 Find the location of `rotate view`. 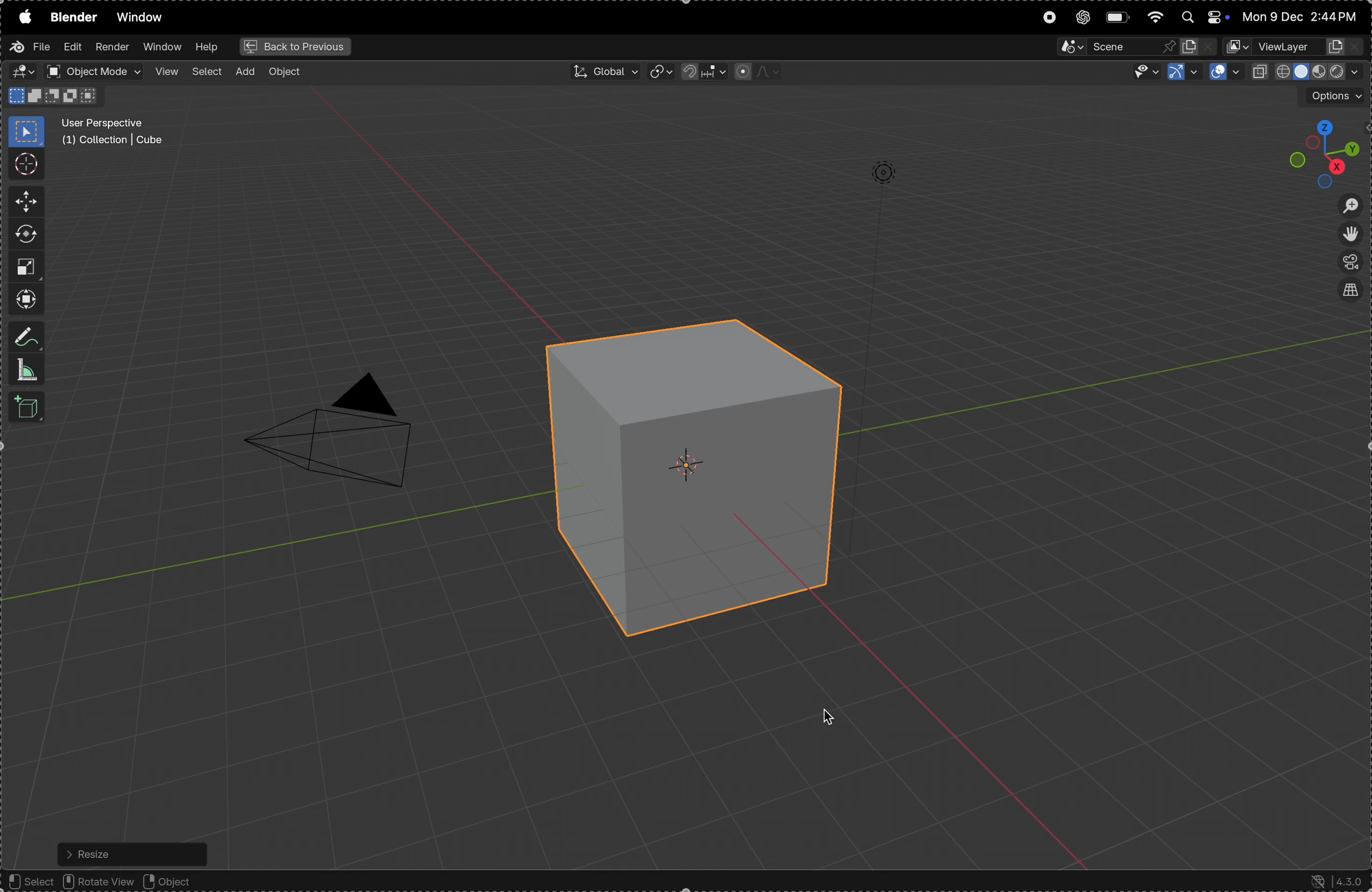

rotate view is located at coordinates (96, 883).